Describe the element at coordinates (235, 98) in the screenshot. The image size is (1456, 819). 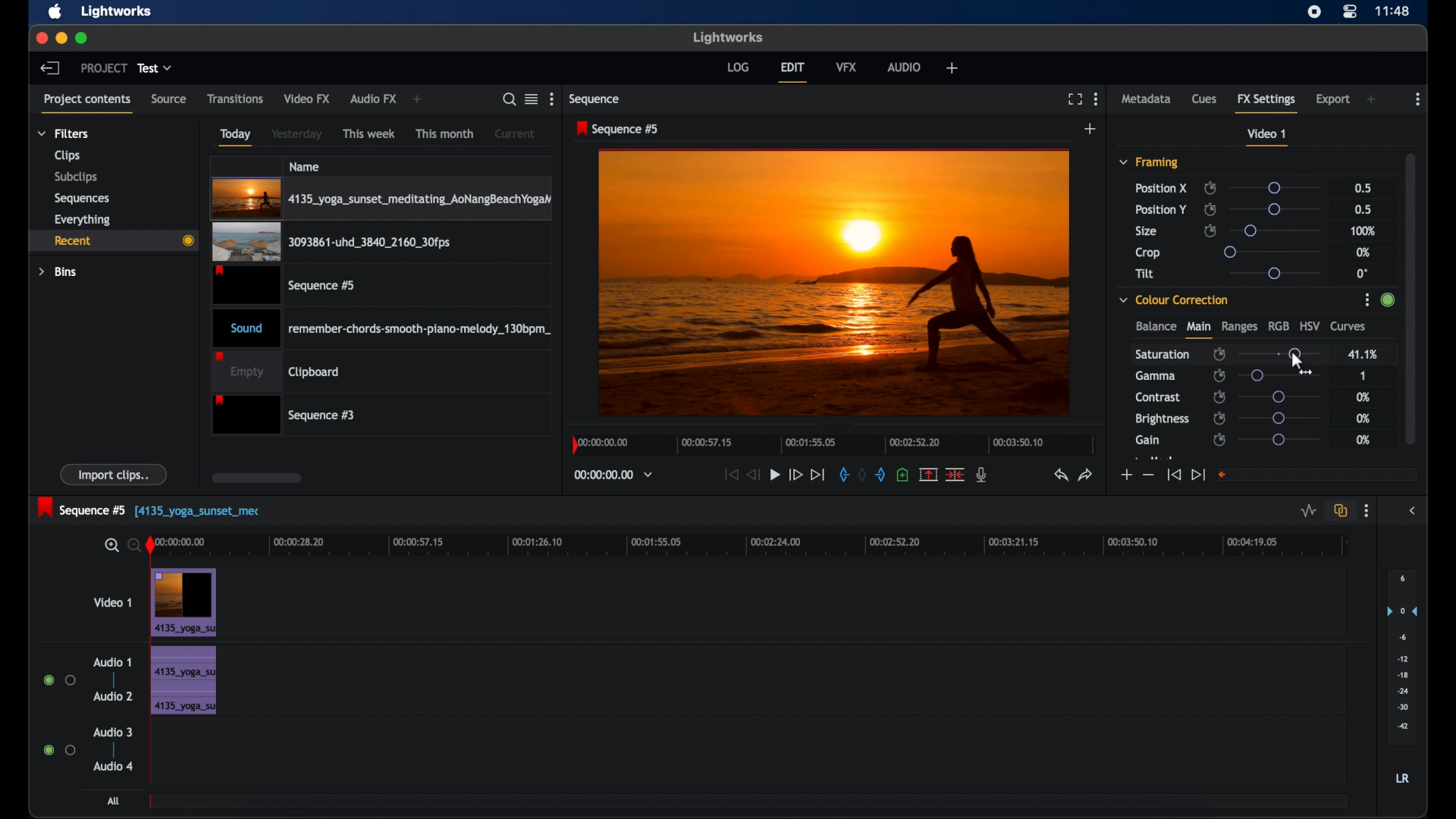
I see `transitions` at that location.